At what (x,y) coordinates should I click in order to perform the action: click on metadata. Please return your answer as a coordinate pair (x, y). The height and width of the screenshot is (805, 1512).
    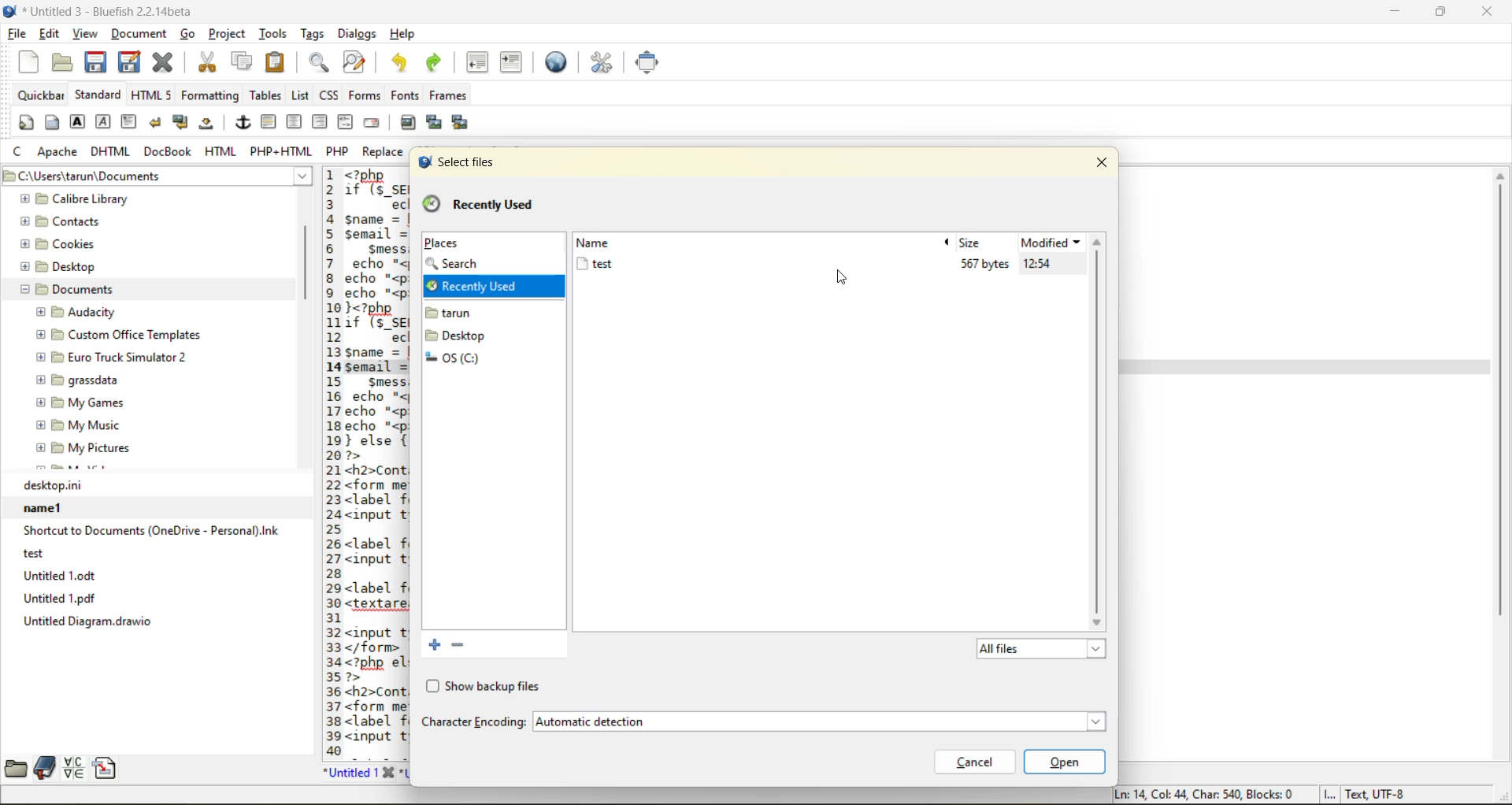
    Looking at the image, I should click on (1260, 795).